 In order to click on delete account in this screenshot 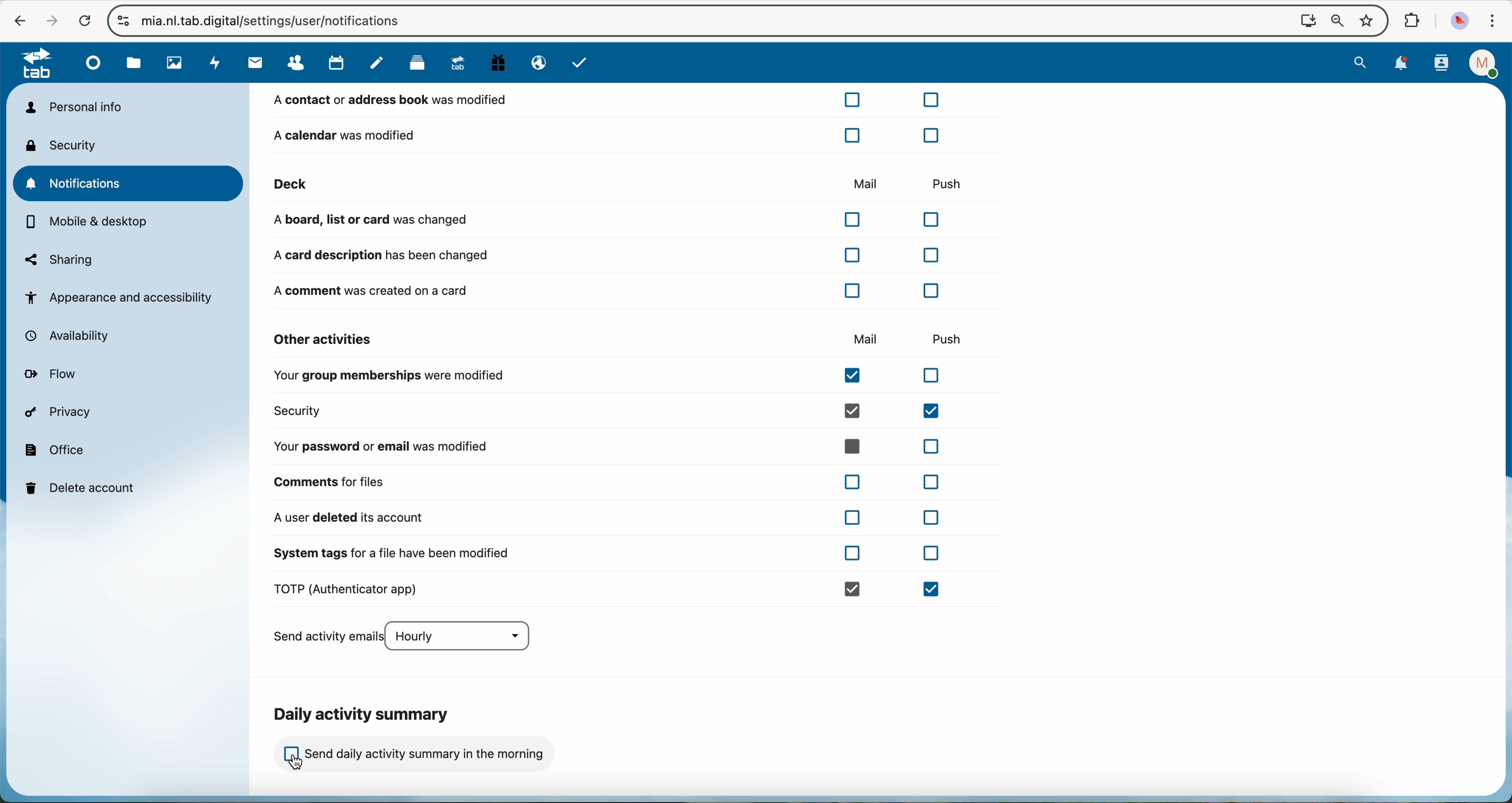, I will do `click(83, 487)`.